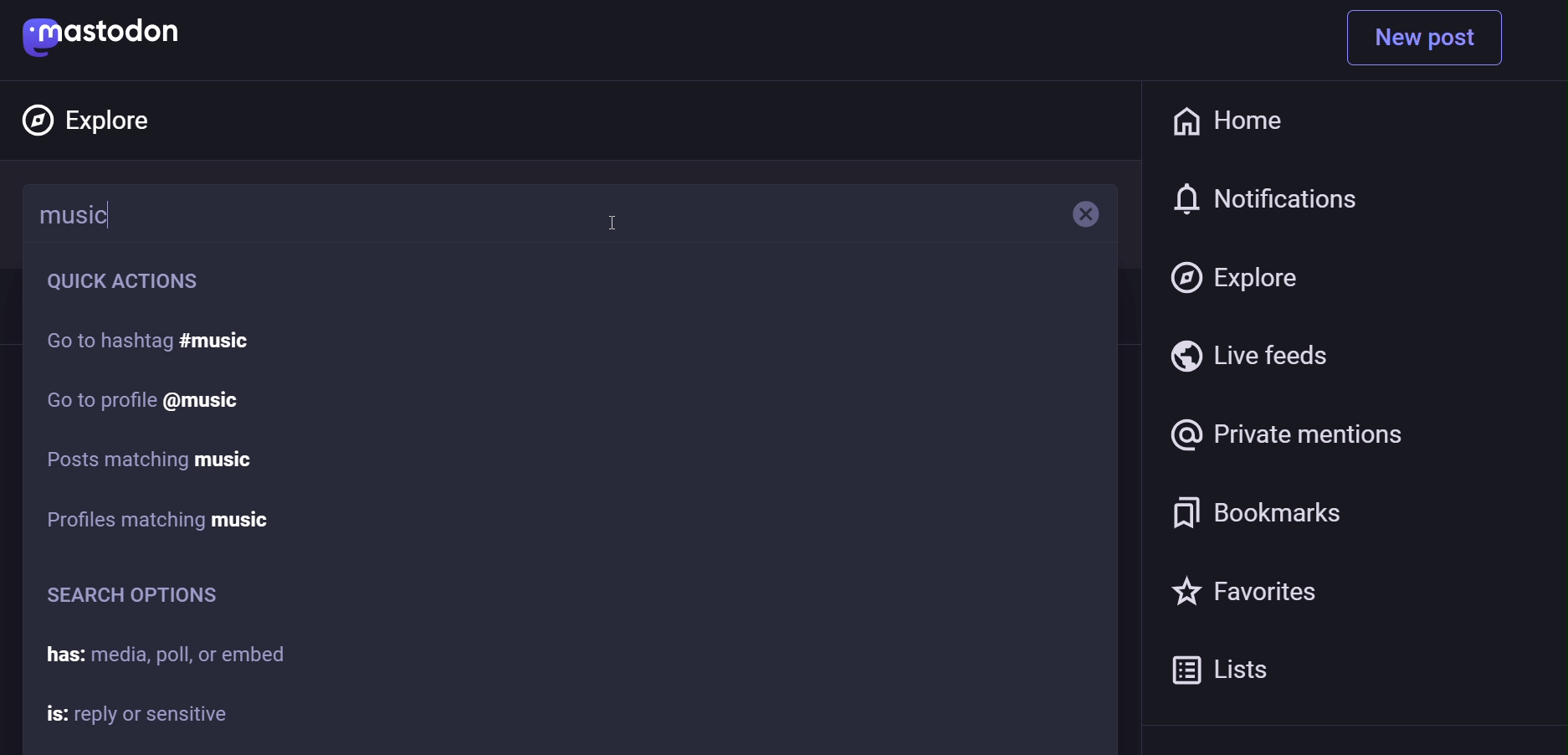 The image size is (1568, 755). What do you see at coordinates (110, 33) in the screenshot?
I see `mastodon` at bounding box center [110, 33].